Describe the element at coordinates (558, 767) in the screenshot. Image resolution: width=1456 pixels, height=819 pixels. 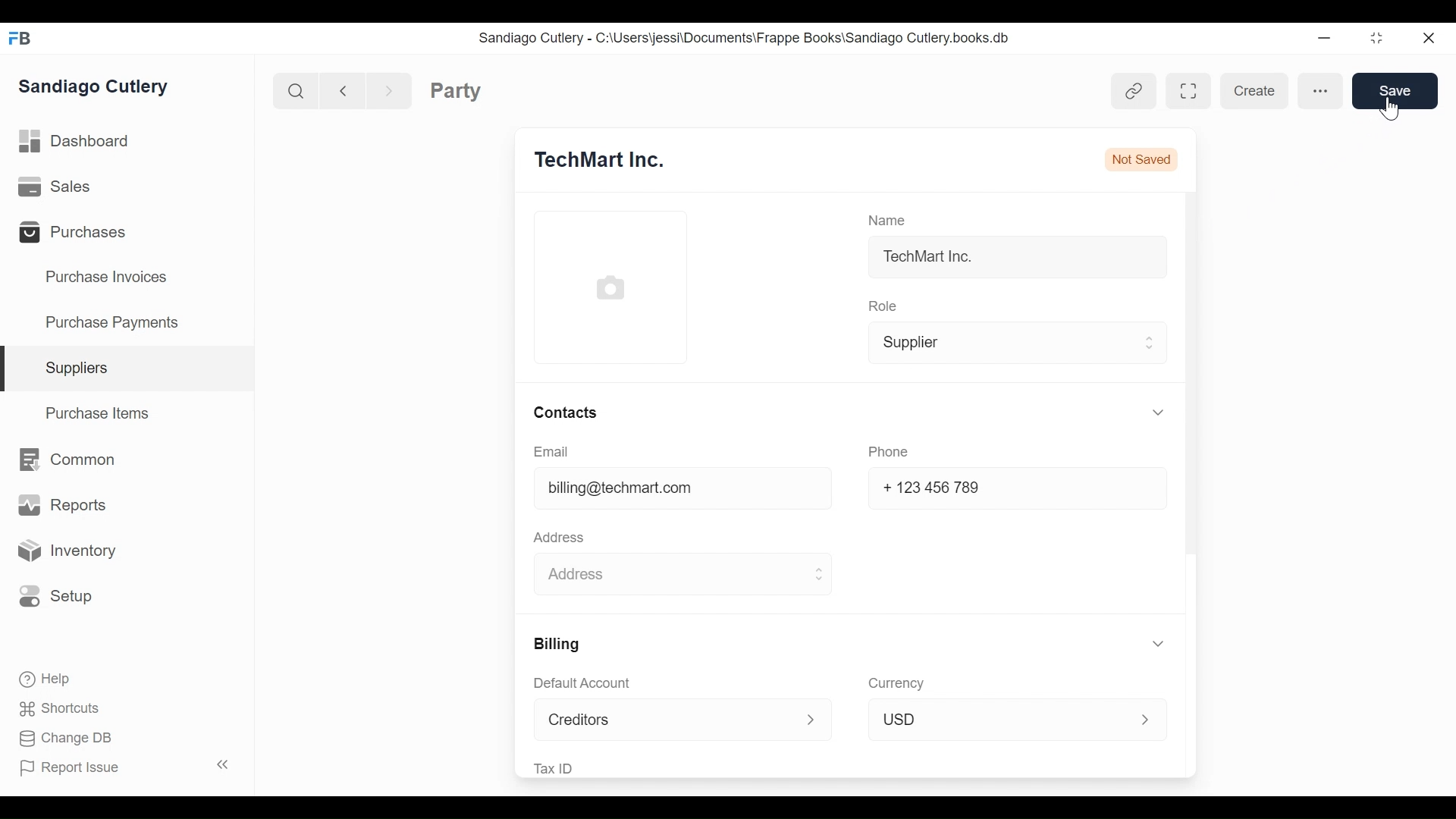
I see `Tax ID` at that location.